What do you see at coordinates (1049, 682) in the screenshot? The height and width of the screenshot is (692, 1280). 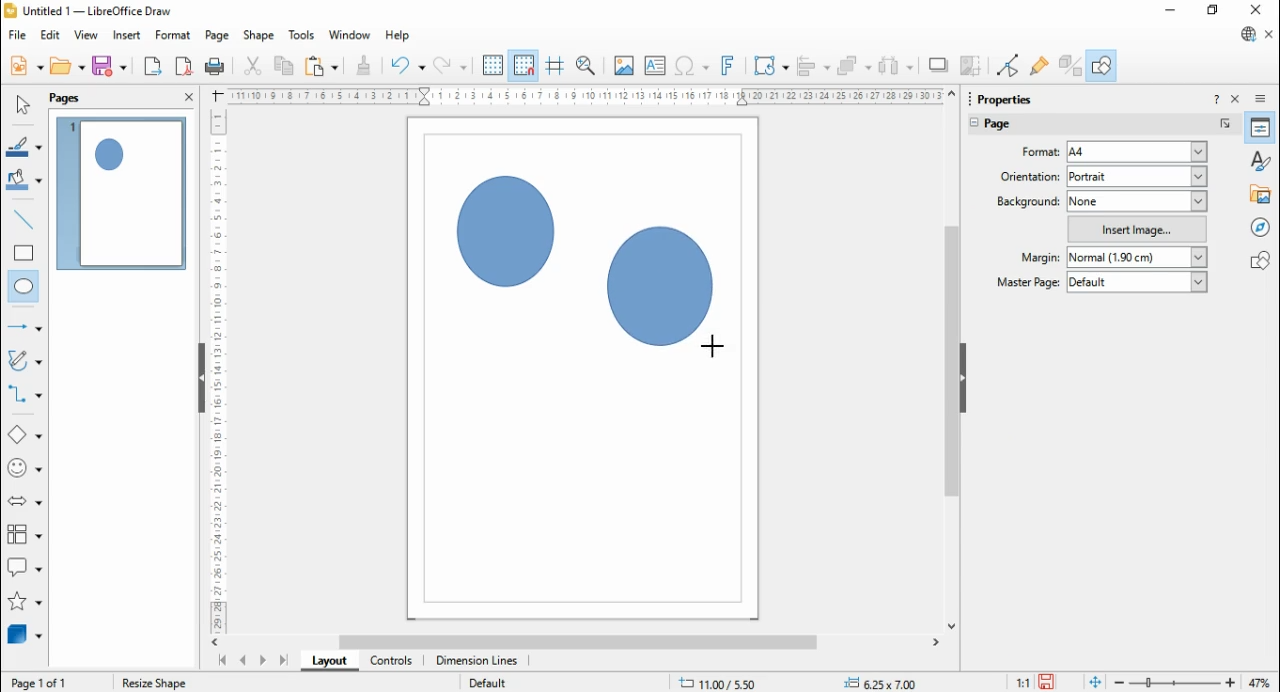 I see `save` at bounding box center [1049, 682].